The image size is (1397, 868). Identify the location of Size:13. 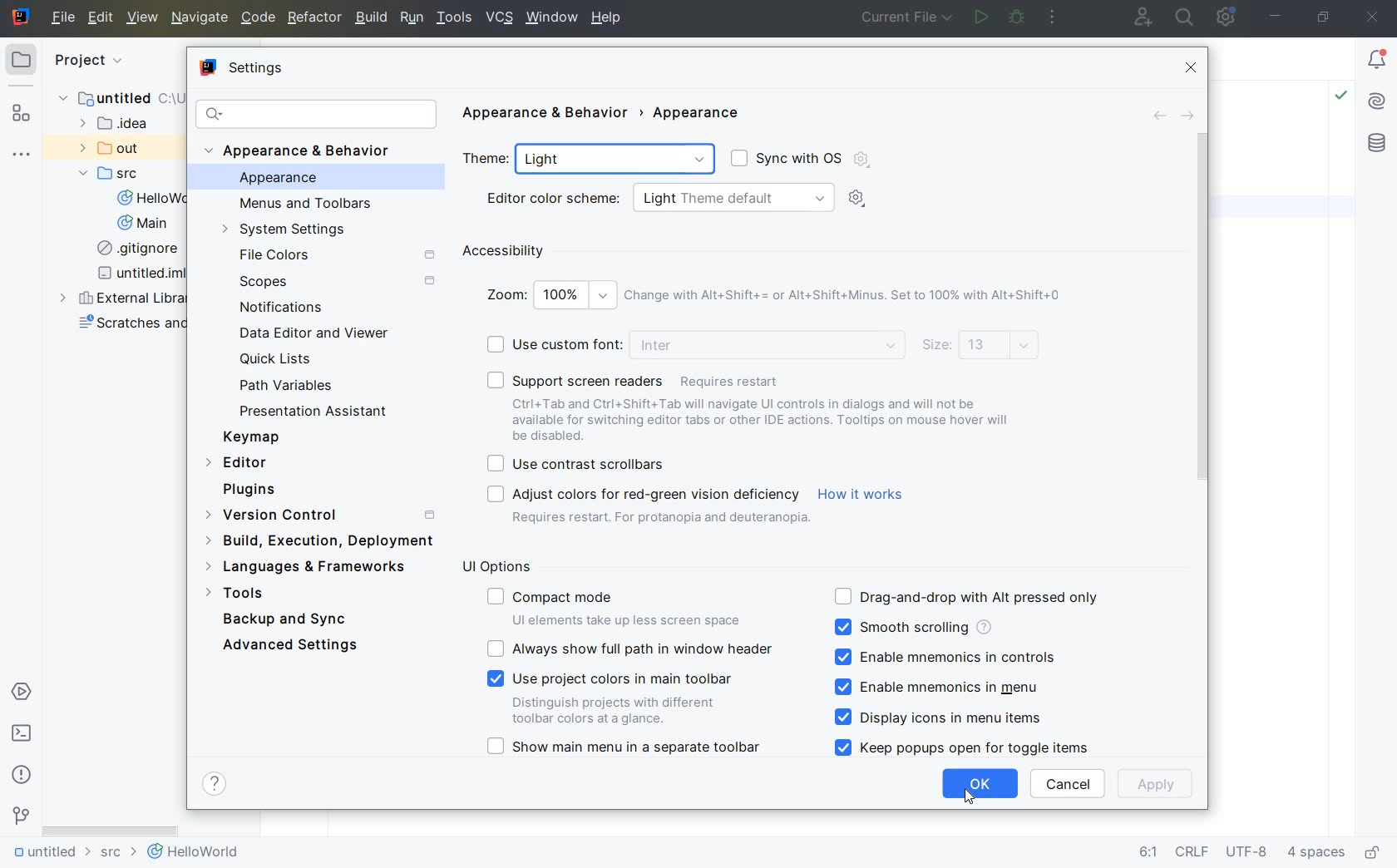
(982, 348).